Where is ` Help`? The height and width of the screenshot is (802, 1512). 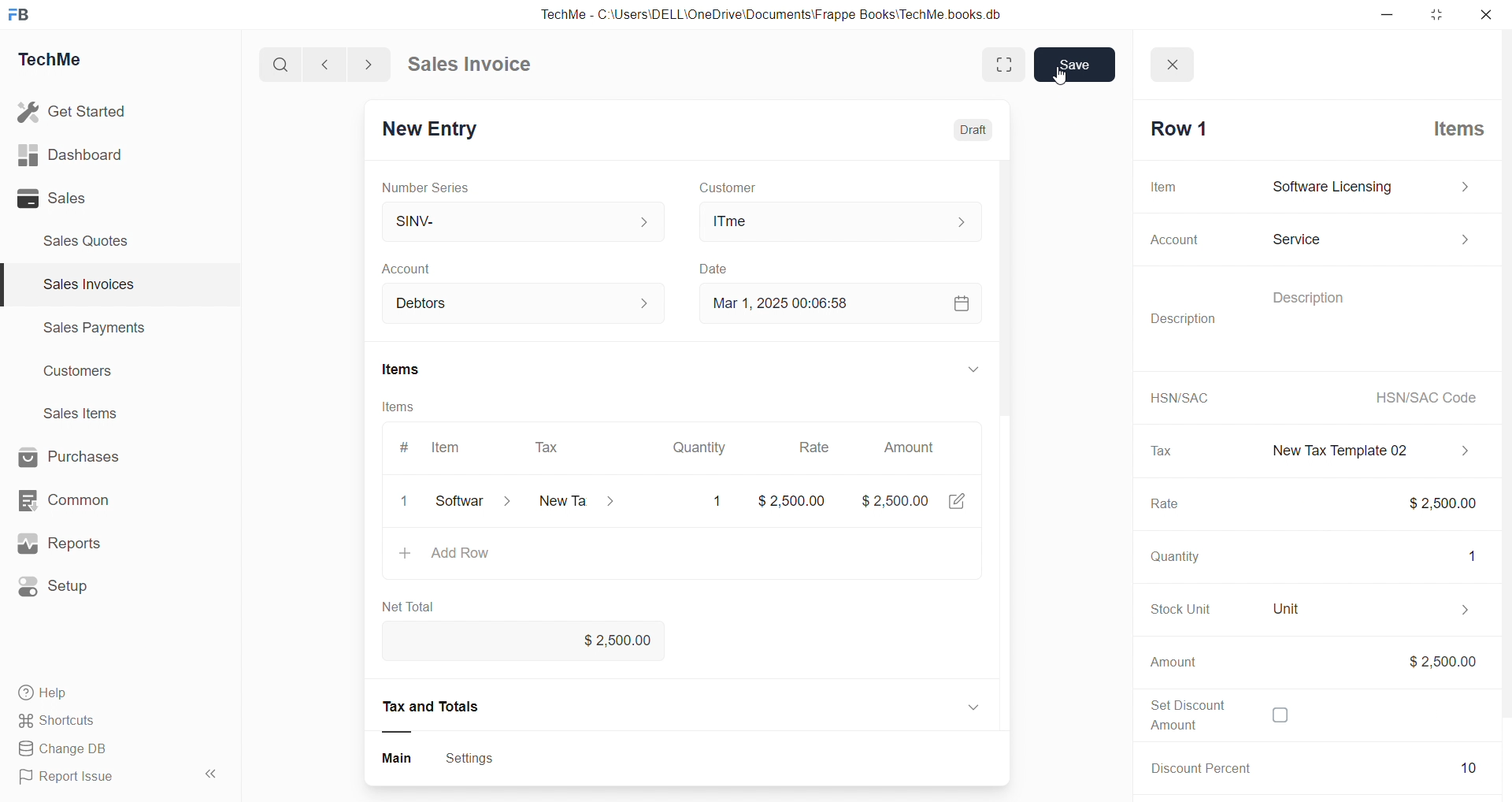
 Help is located at coordinates (51, 695).